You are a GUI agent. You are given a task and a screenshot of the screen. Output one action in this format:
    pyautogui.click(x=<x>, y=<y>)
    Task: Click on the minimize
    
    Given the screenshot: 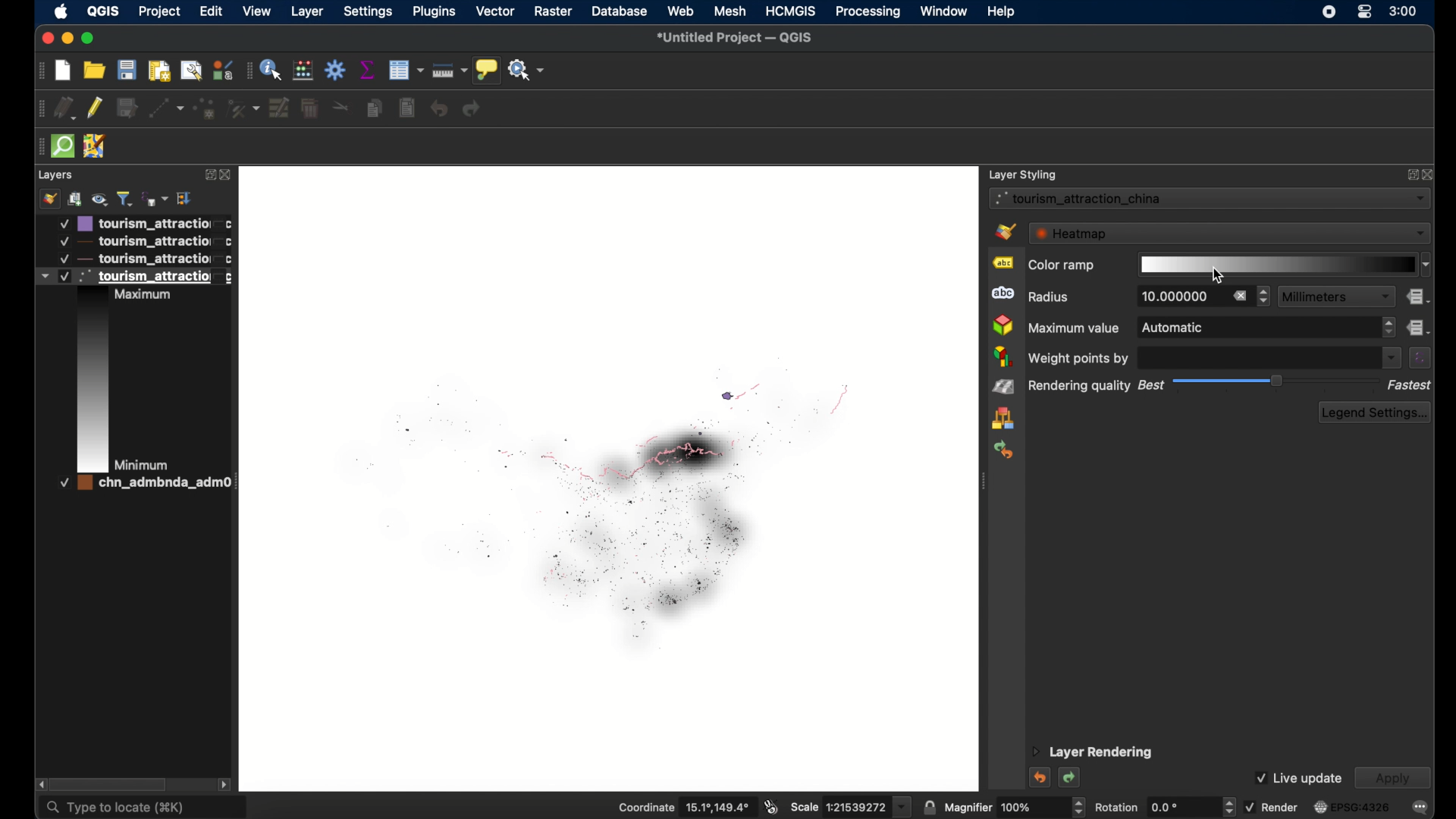 What is the action you would take?
    pyautogui.click(x=68, y=39)
    